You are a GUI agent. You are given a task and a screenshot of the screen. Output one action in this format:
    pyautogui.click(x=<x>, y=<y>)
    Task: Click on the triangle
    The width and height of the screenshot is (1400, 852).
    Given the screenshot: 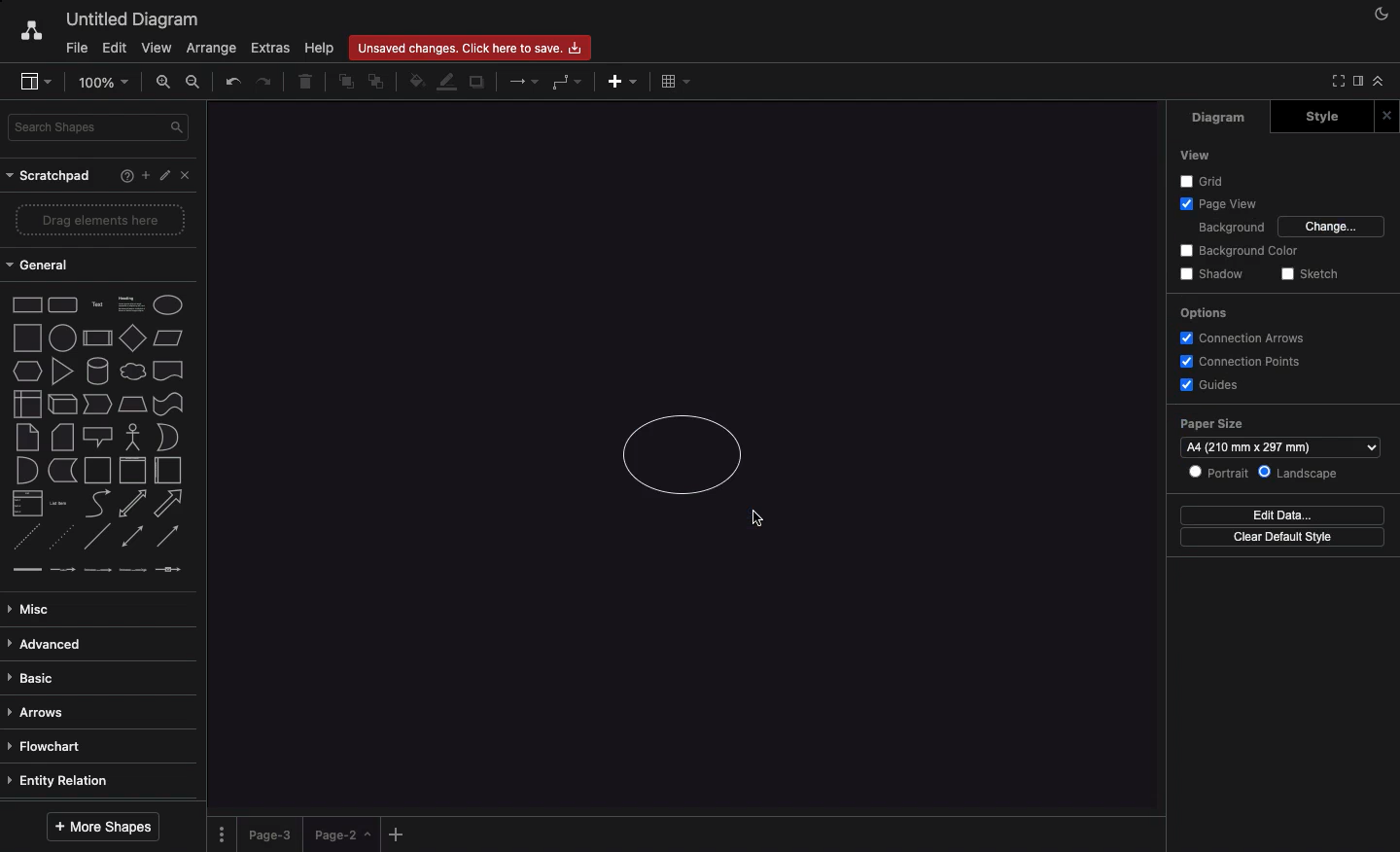 What is the action you would take?
    pyautogui.click(x=63, y=371)
    